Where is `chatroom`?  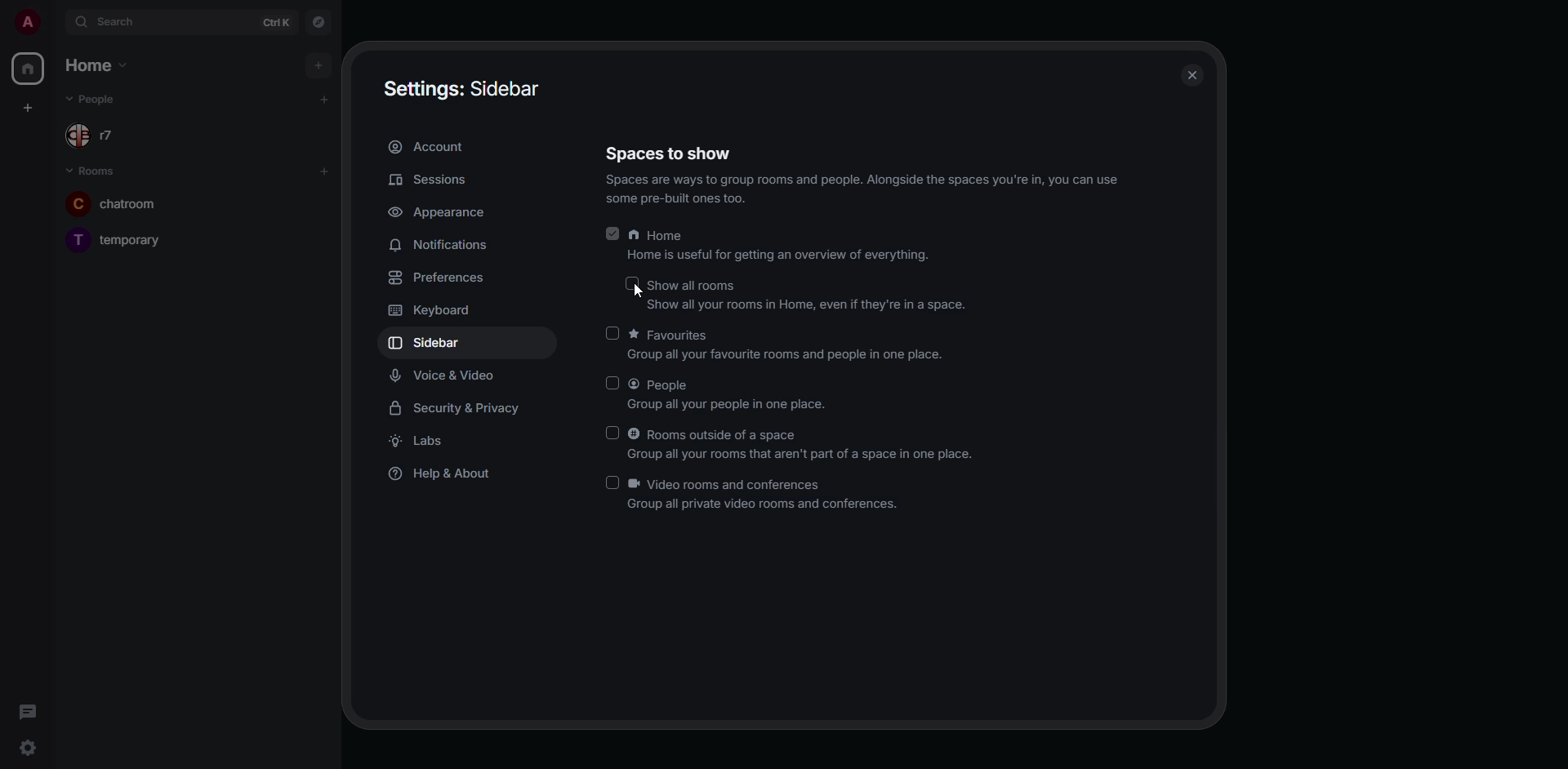
chatroom is located at coordinates (131, 202).